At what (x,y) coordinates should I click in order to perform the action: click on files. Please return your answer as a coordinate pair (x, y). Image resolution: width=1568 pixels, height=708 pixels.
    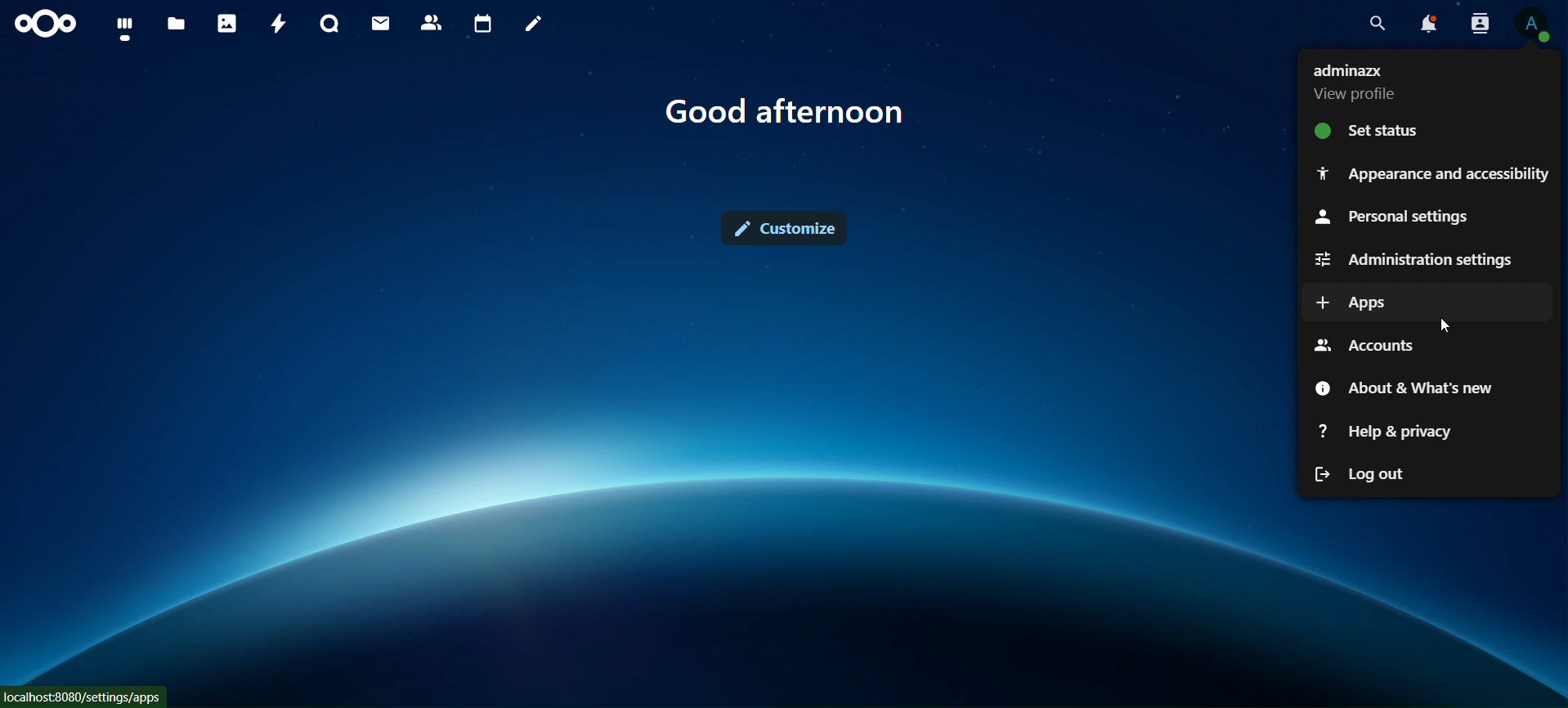
    Looking at the image, I should click on (179, 23).